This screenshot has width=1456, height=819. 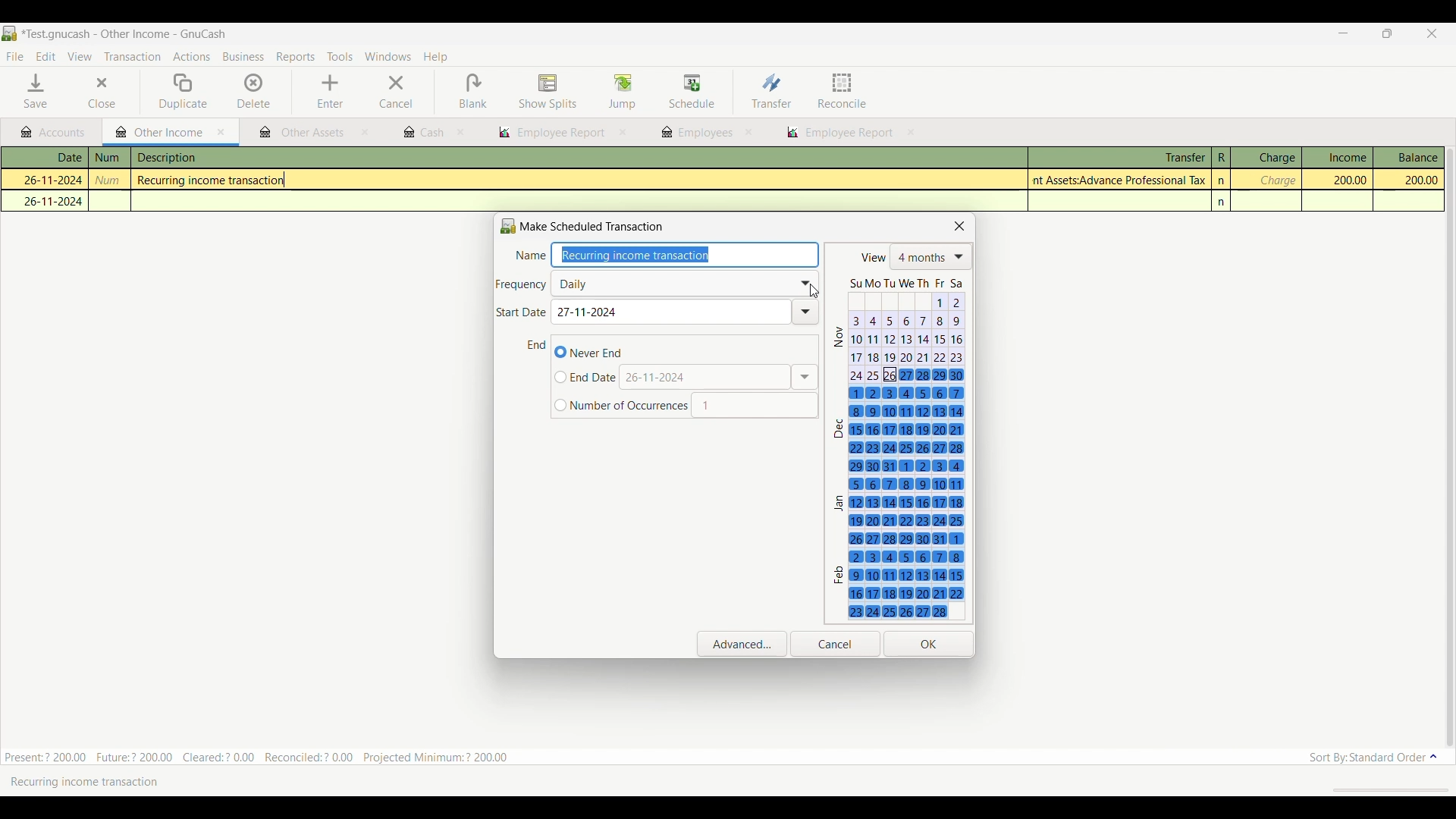 What do you see at coordinates (49, 201) in the screenshot?
I see `26-11-2024` at bounding box center [49, 201].